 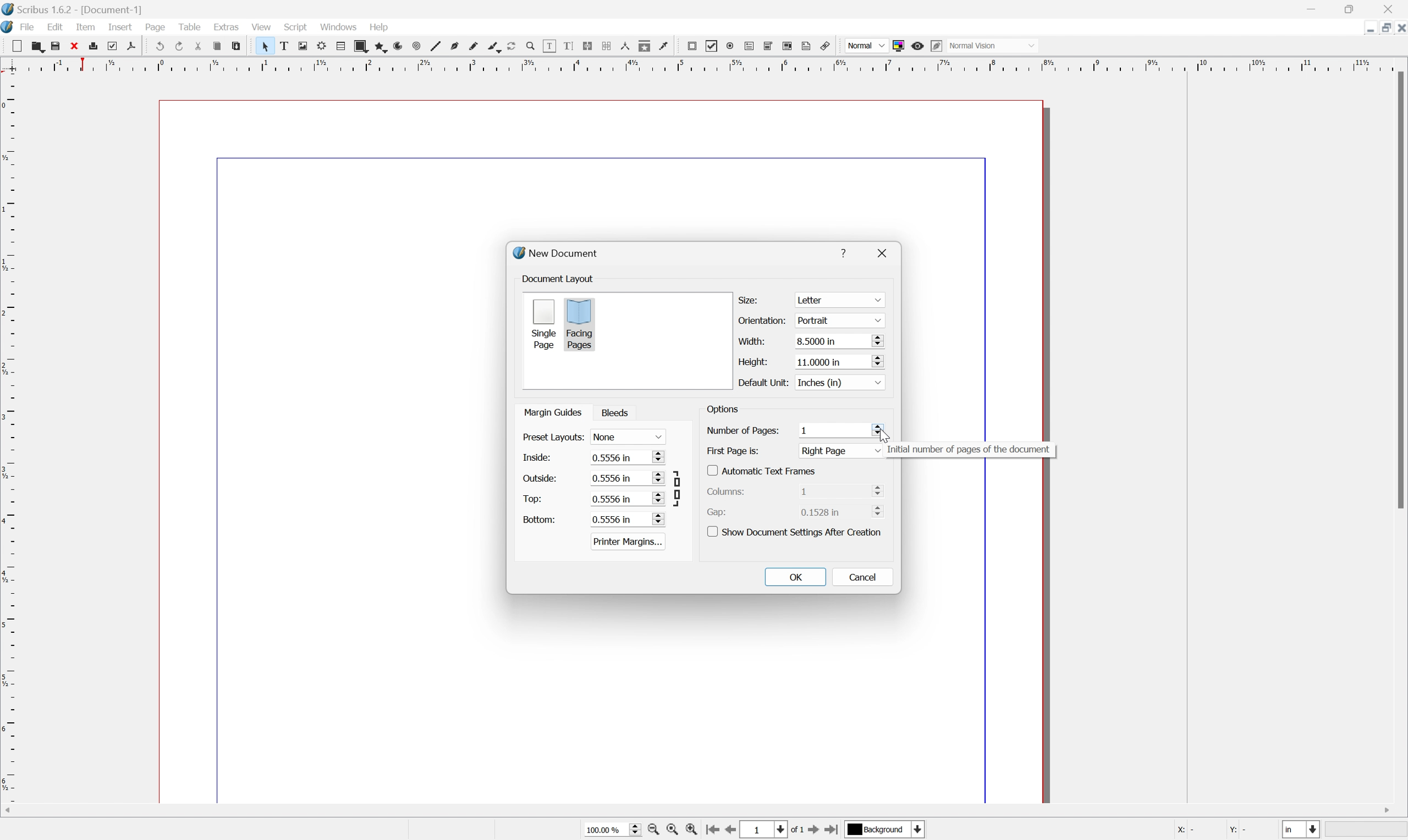 I want to click on in, so click(x=1303, y=831).